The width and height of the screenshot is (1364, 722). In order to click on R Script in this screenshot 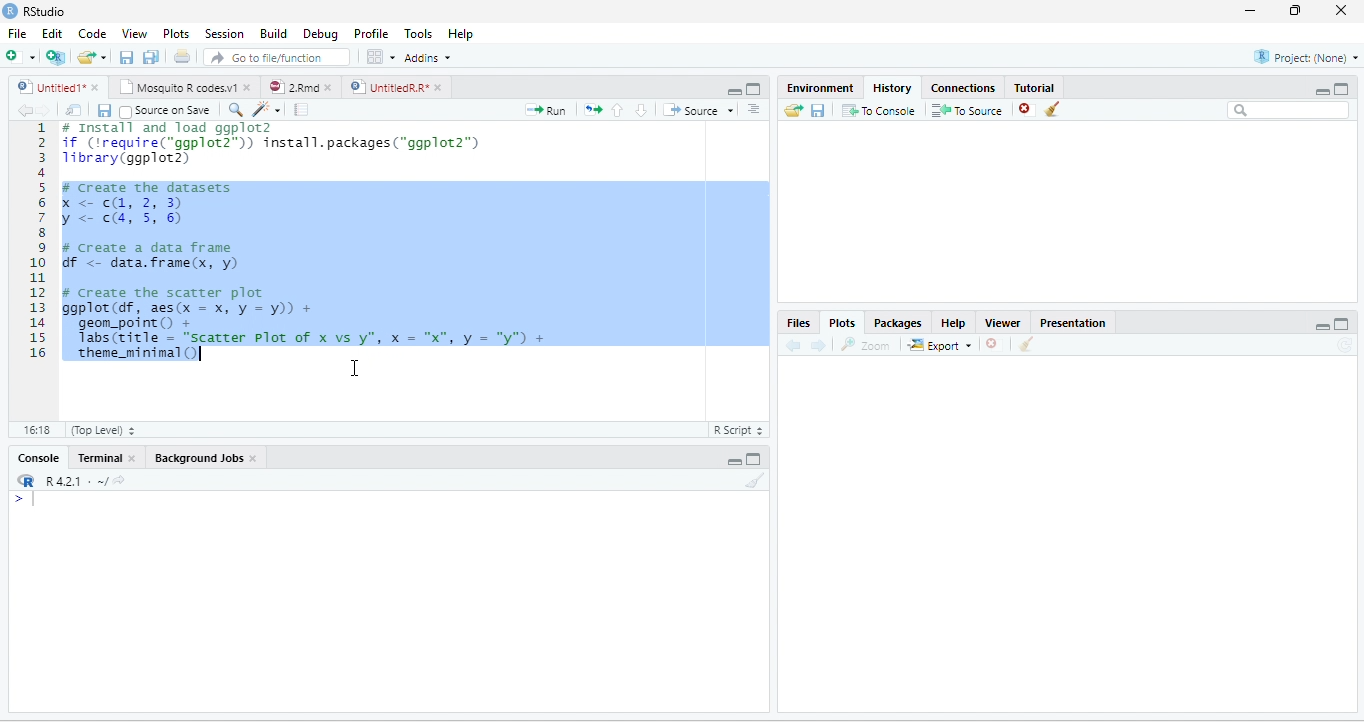, I will do `click(740, 430)`.